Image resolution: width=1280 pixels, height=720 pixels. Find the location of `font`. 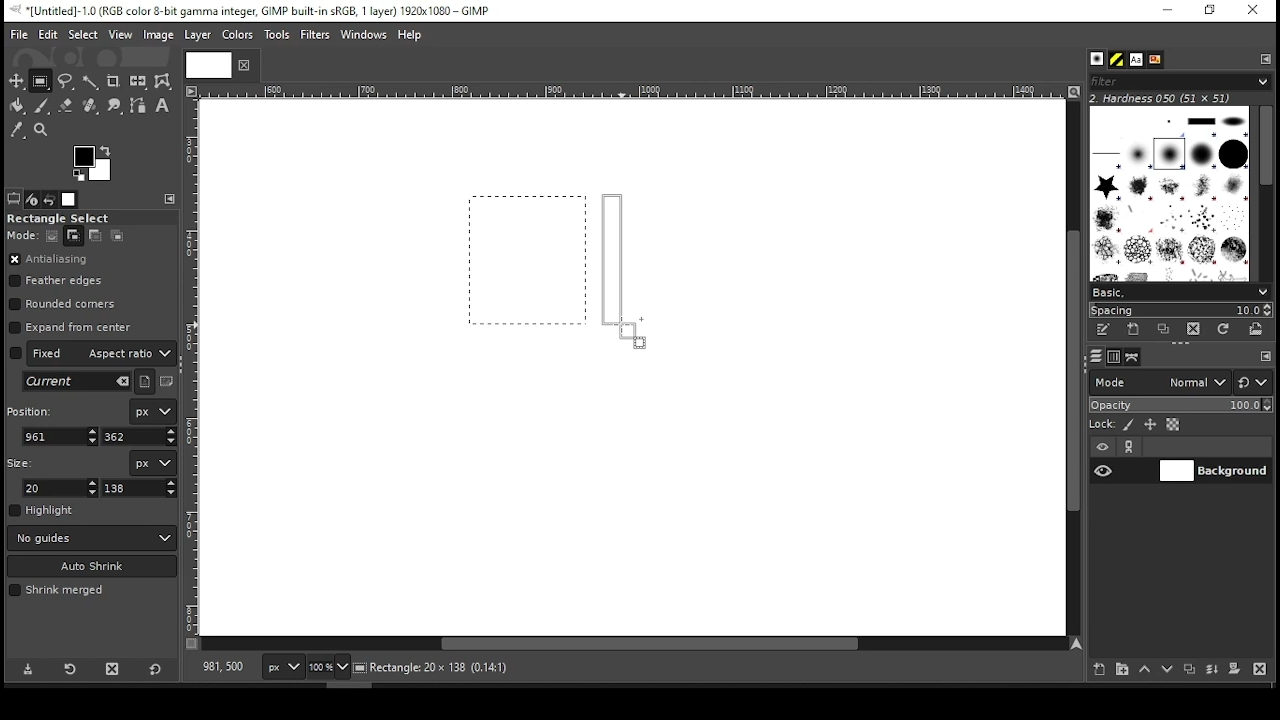

font is located at coordinates (1135, 60).